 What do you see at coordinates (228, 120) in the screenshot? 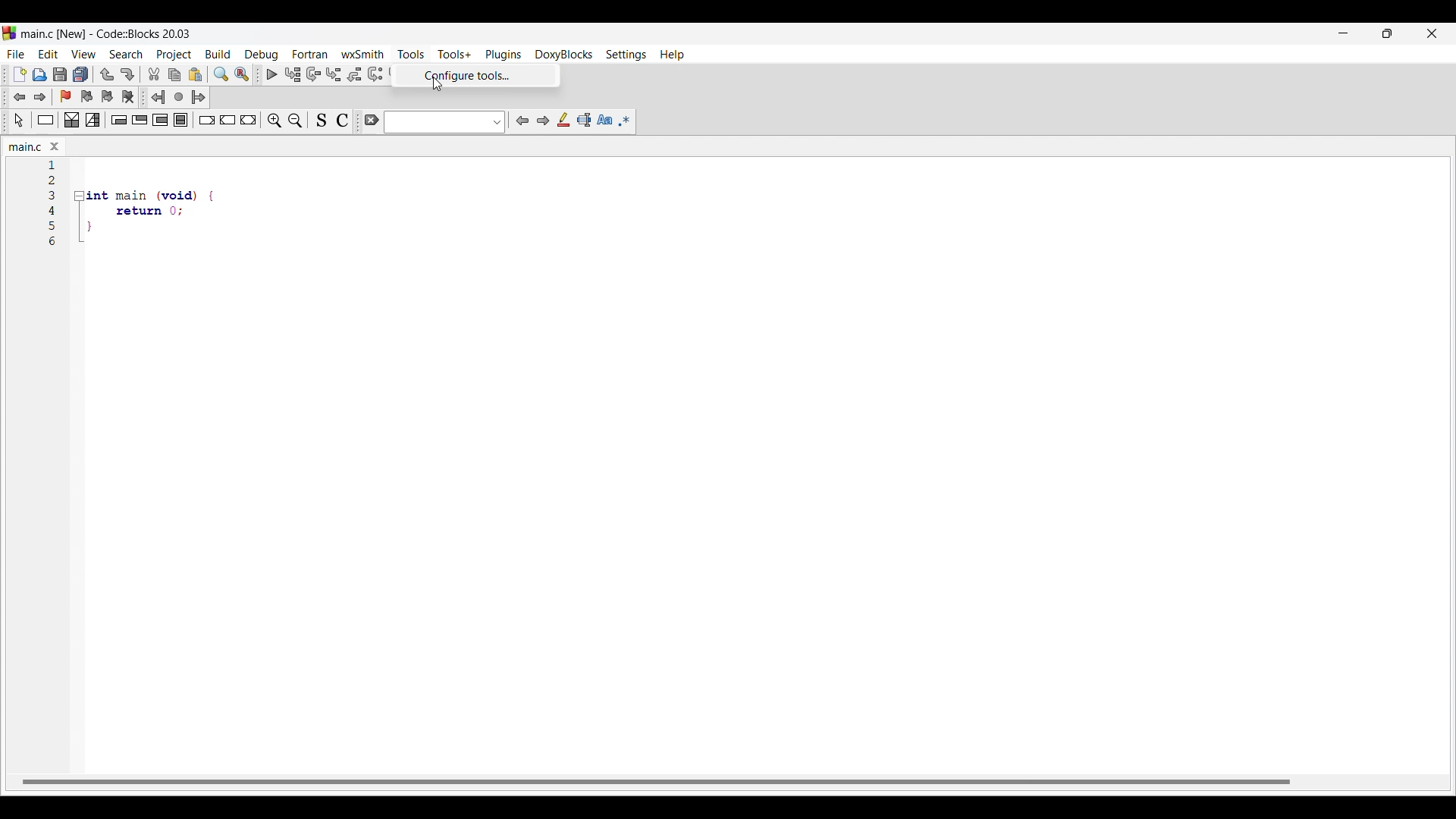
I see `Continue instruction` at bounding box center [228, 120].